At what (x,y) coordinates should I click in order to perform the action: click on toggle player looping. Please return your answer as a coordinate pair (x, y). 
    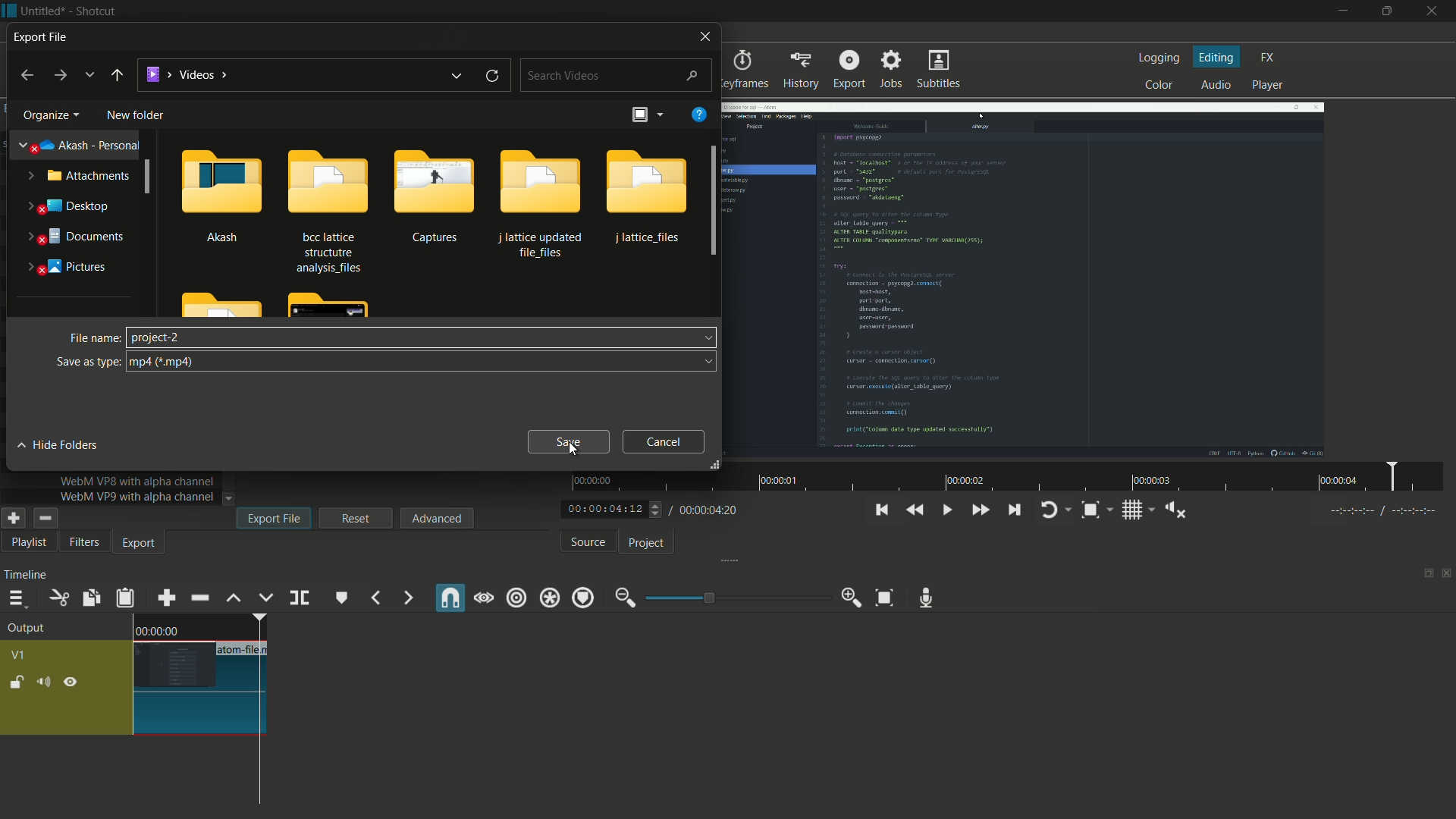
    Looking at the image, I should click on (1049, 511).